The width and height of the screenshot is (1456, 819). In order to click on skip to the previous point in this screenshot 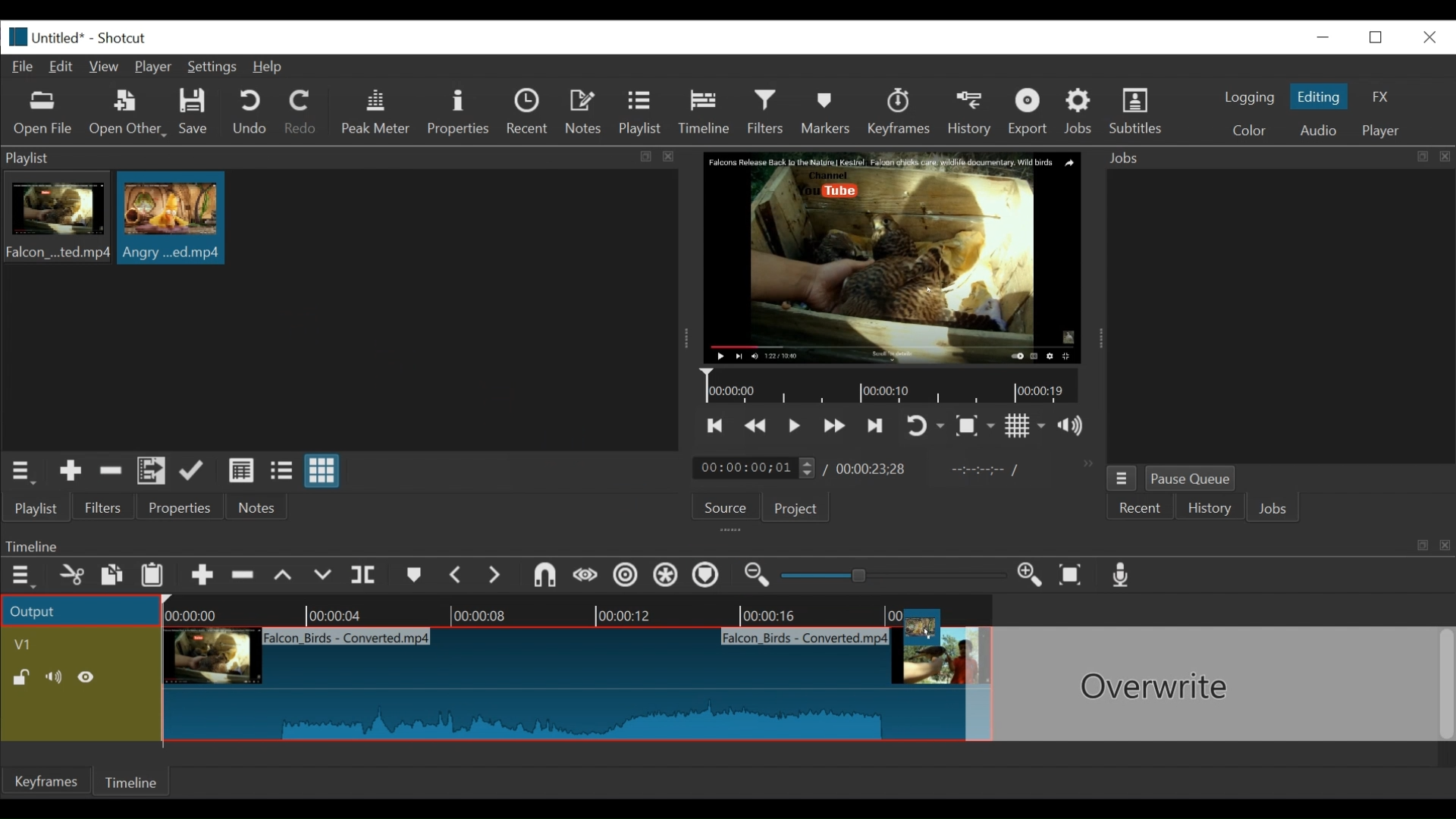, I will do `click(715, 426)`.